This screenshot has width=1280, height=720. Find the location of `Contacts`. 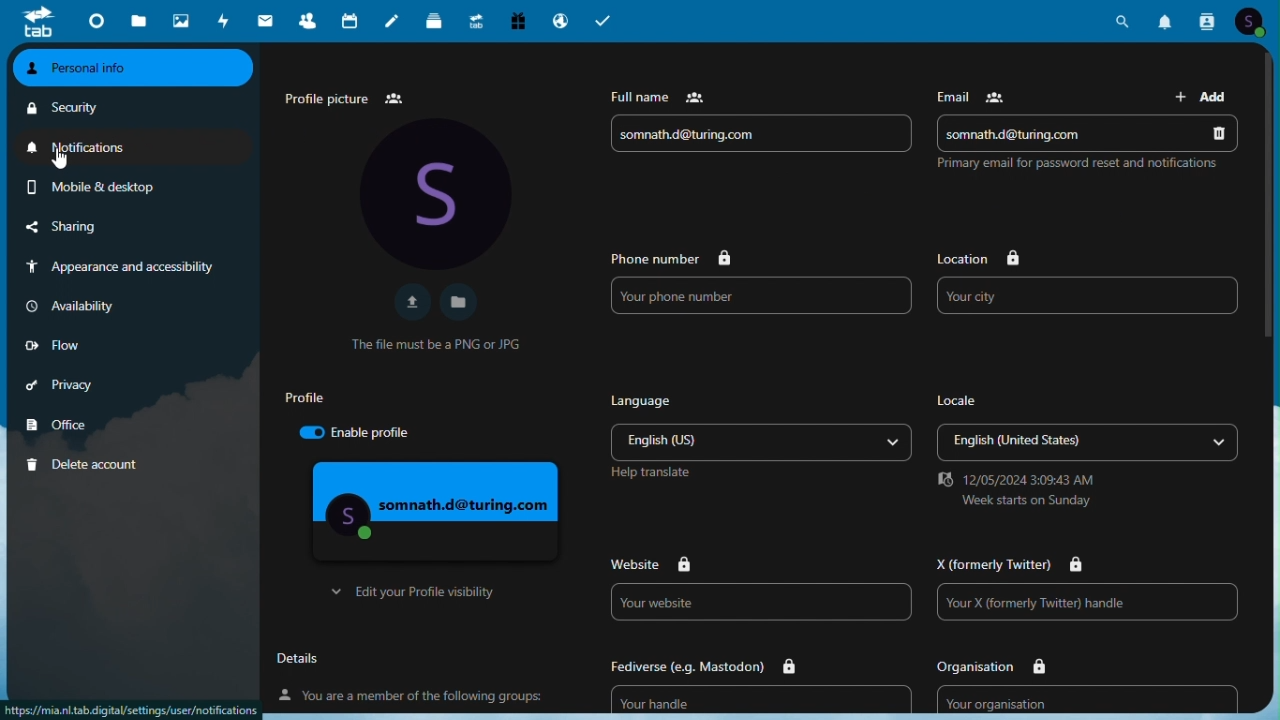

Contacts is located at coordinates (1206, 19).